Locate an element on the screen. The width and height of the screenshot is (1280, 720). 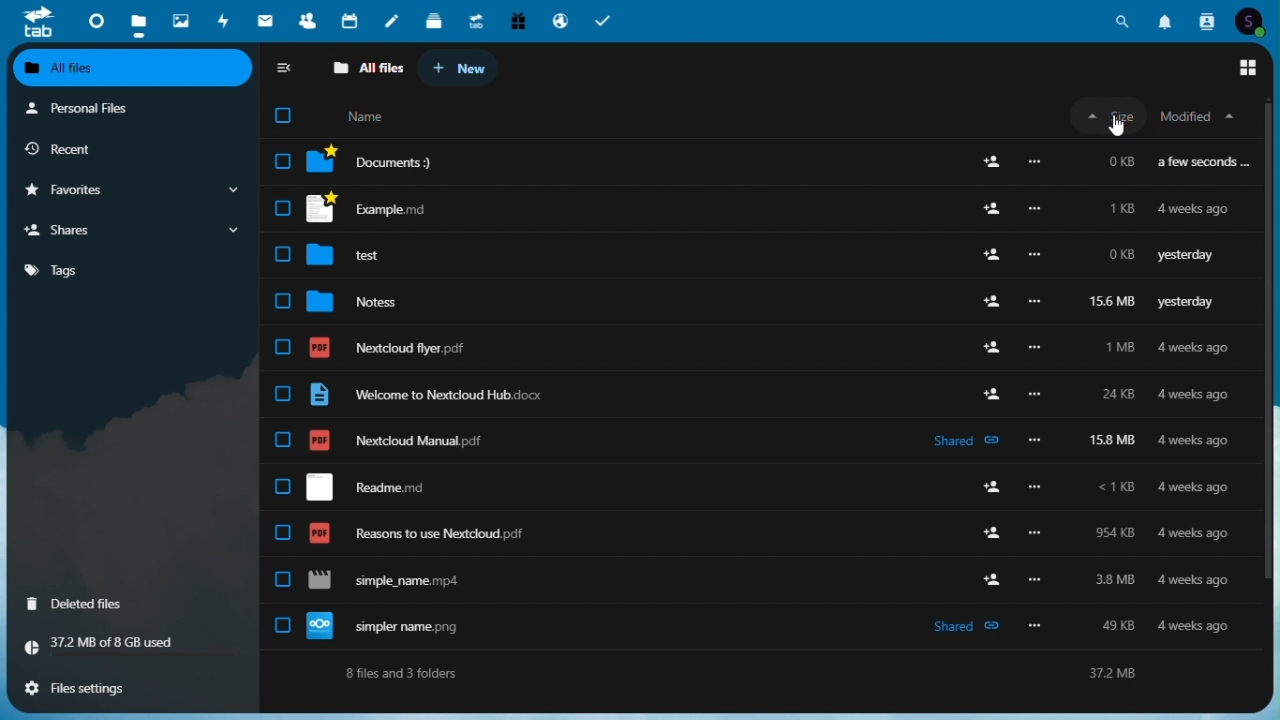
Organised by name is located at coordinates (371, 117).